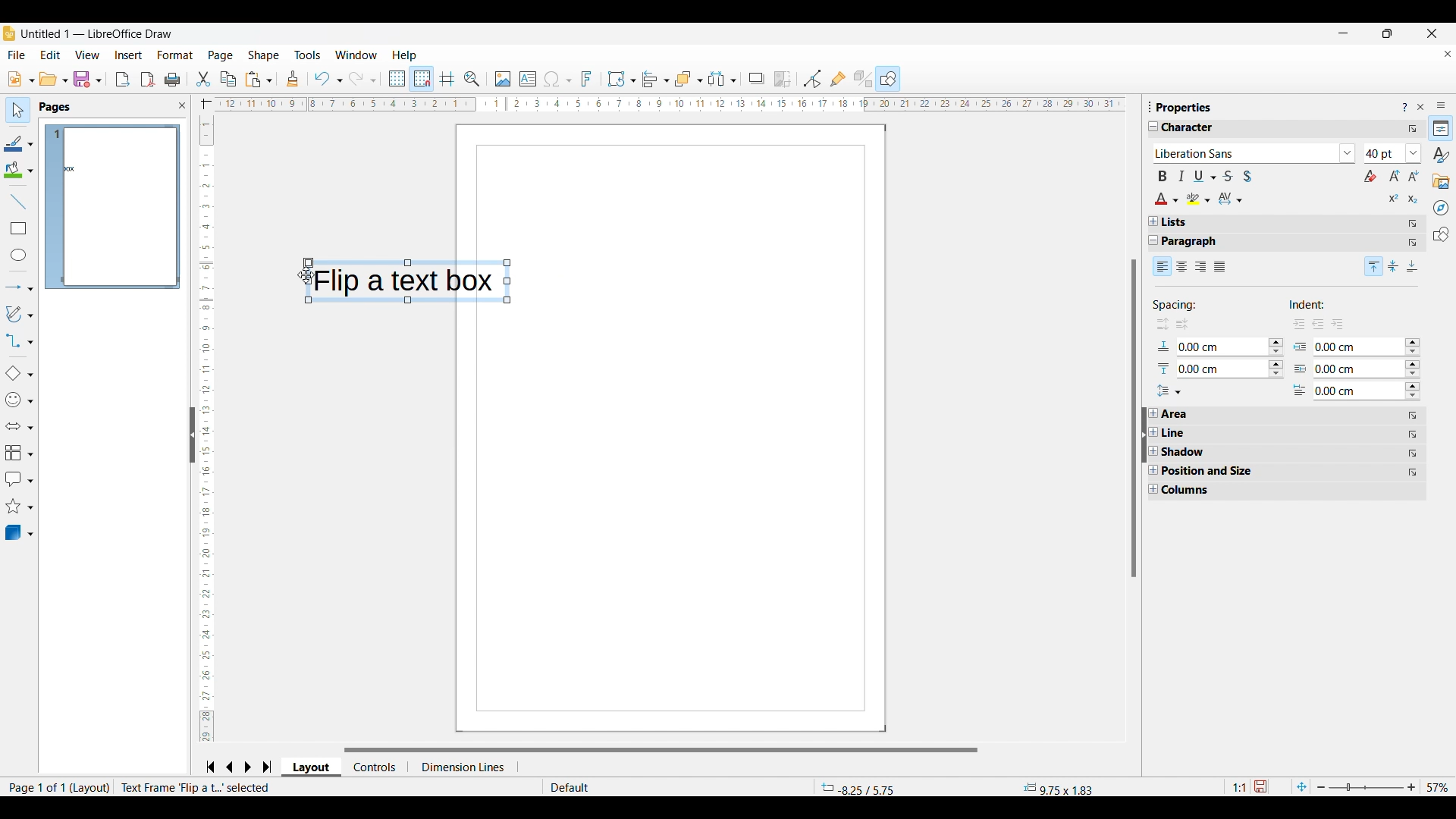  I want to click on property, so click(1185, 107).